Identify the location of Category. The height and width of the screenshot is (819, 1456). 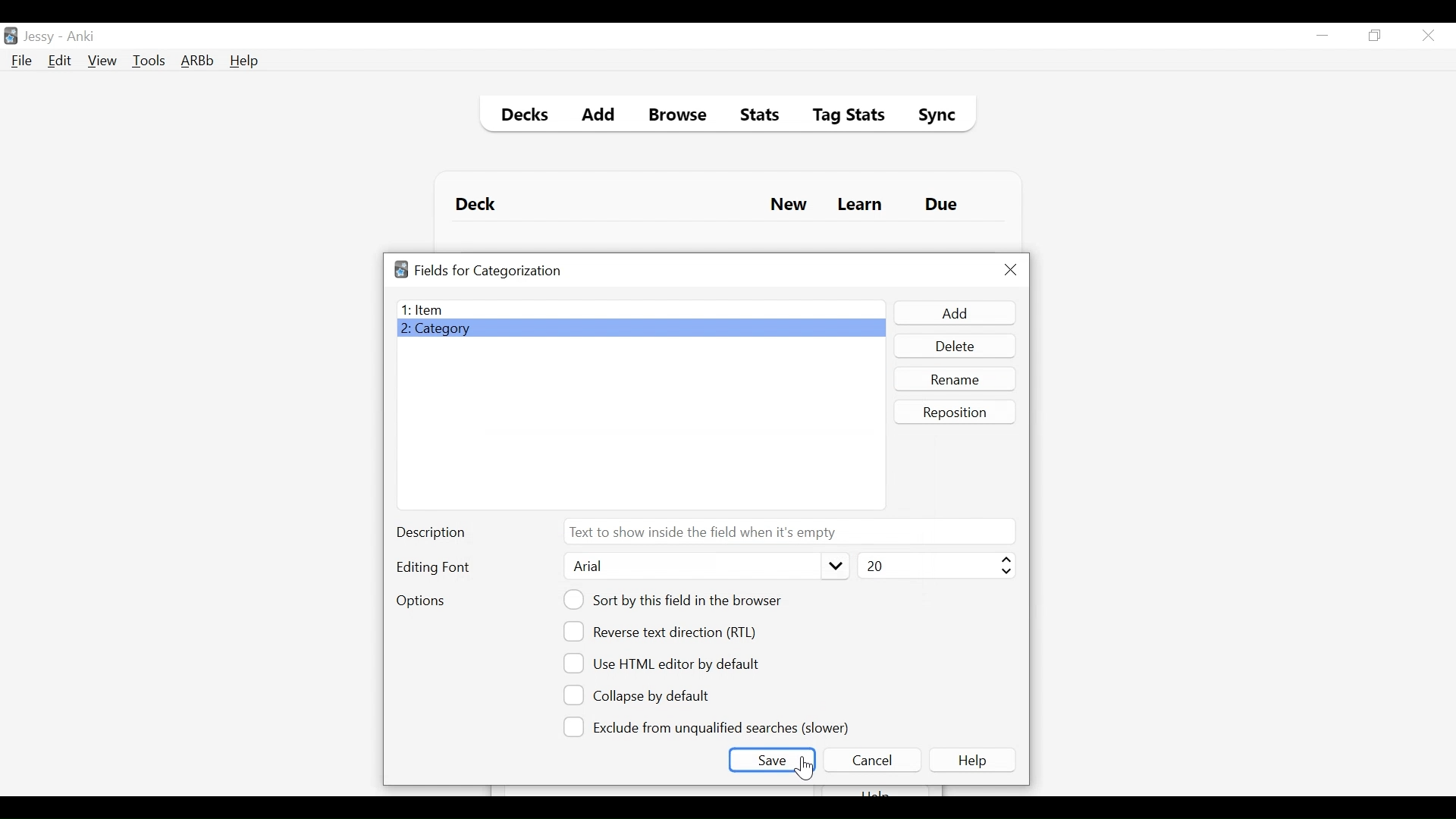
(641, 329).